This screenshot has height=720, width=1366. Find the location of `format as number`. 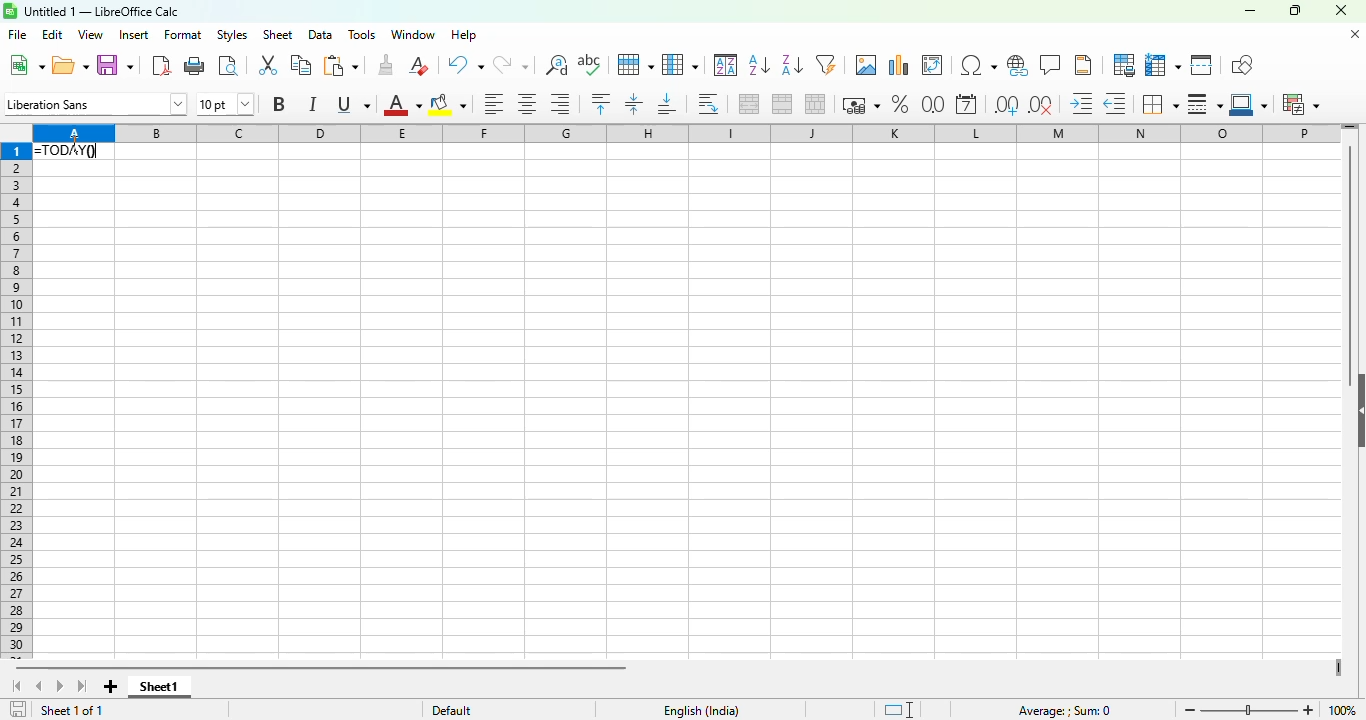

format as number is located at coordinates (933, 103).